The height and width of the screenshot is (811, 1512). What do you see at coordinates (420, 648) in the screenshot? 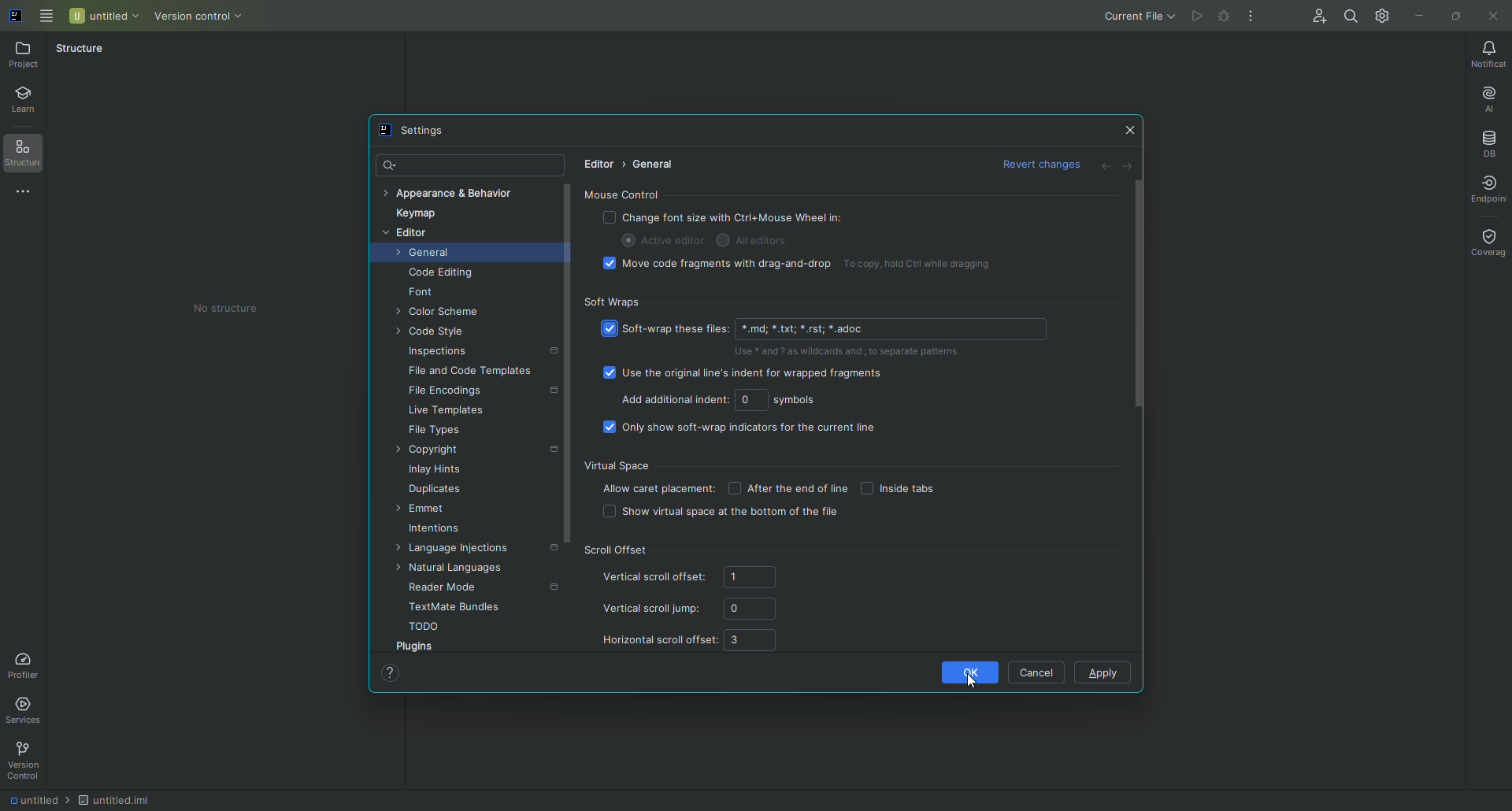
I see `Plugins` at bounding box center [420, 648].